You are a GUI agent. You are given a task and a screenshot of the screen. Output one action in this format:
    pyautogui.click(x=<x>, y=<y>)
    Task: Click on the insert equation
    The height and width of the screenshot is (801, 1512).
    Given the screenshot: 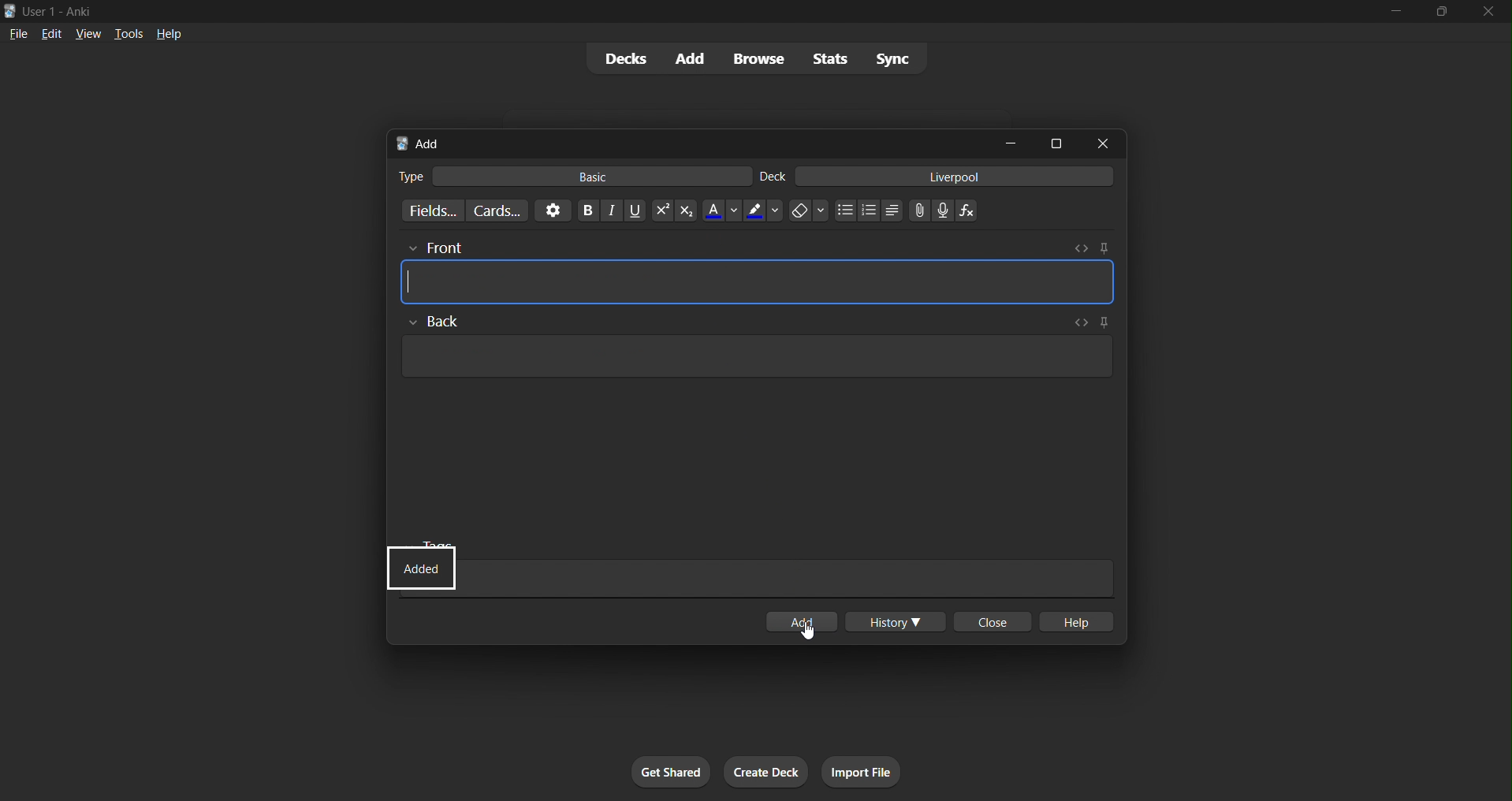 What is the action you would take?
    pyautogui.click(x=967, y=207)
    